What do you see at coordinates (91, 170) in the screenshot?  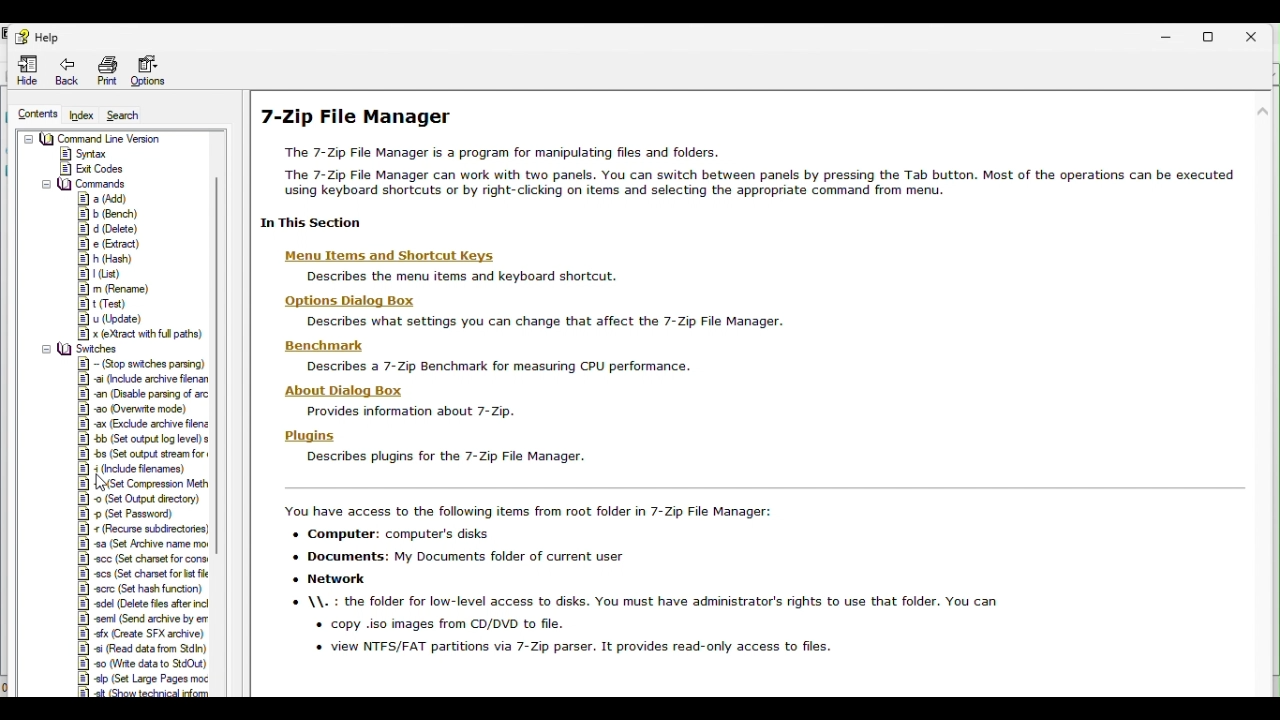 I see `exit codes commands` at bounding box center [91, 170].